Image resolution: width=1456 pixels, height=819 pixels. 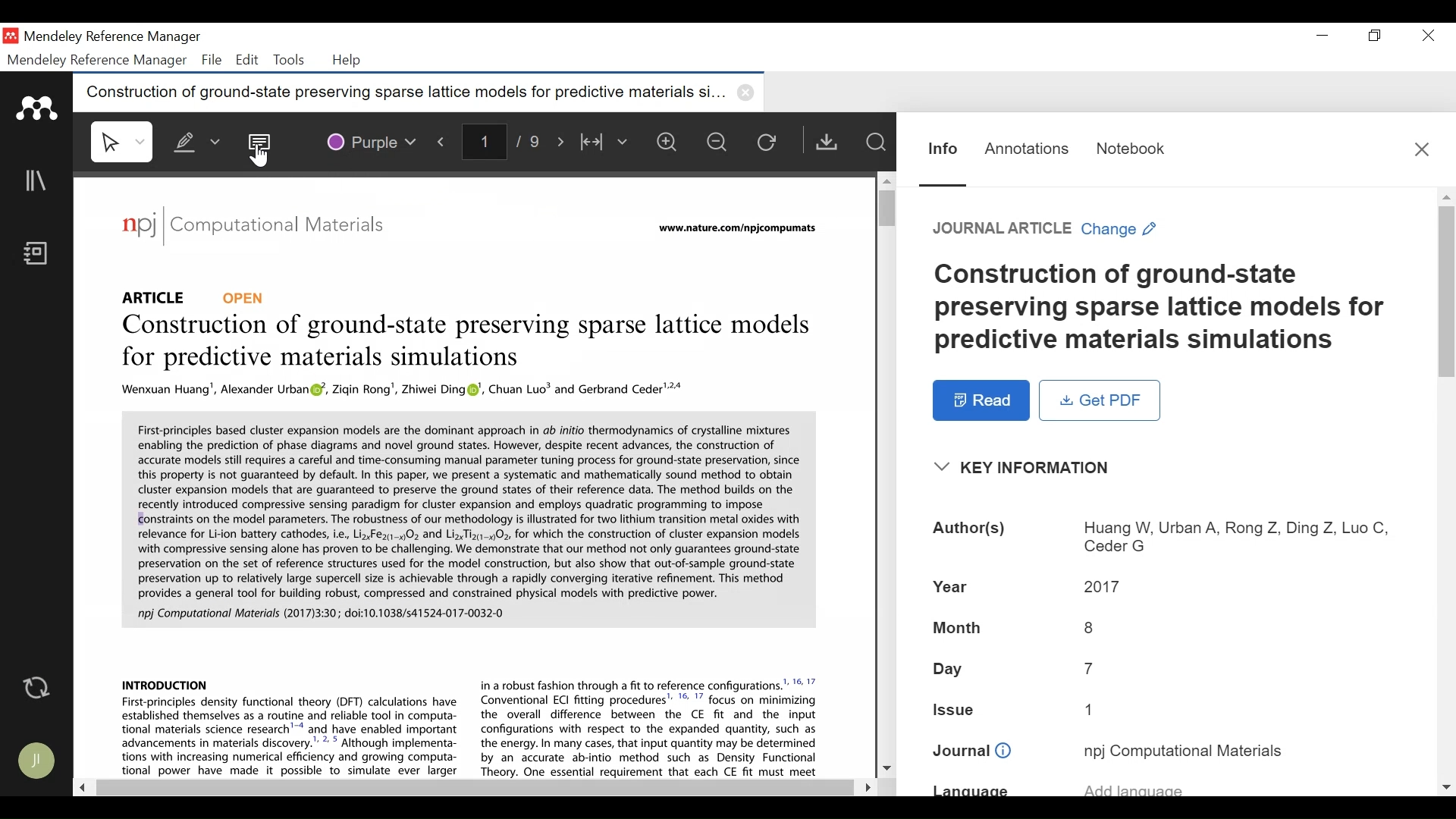 I want to click on Abstract and Introduction of Title: Construction of ground-state preserving sparse lattice models for predictive materials simulations, so click(x=466, y=578).